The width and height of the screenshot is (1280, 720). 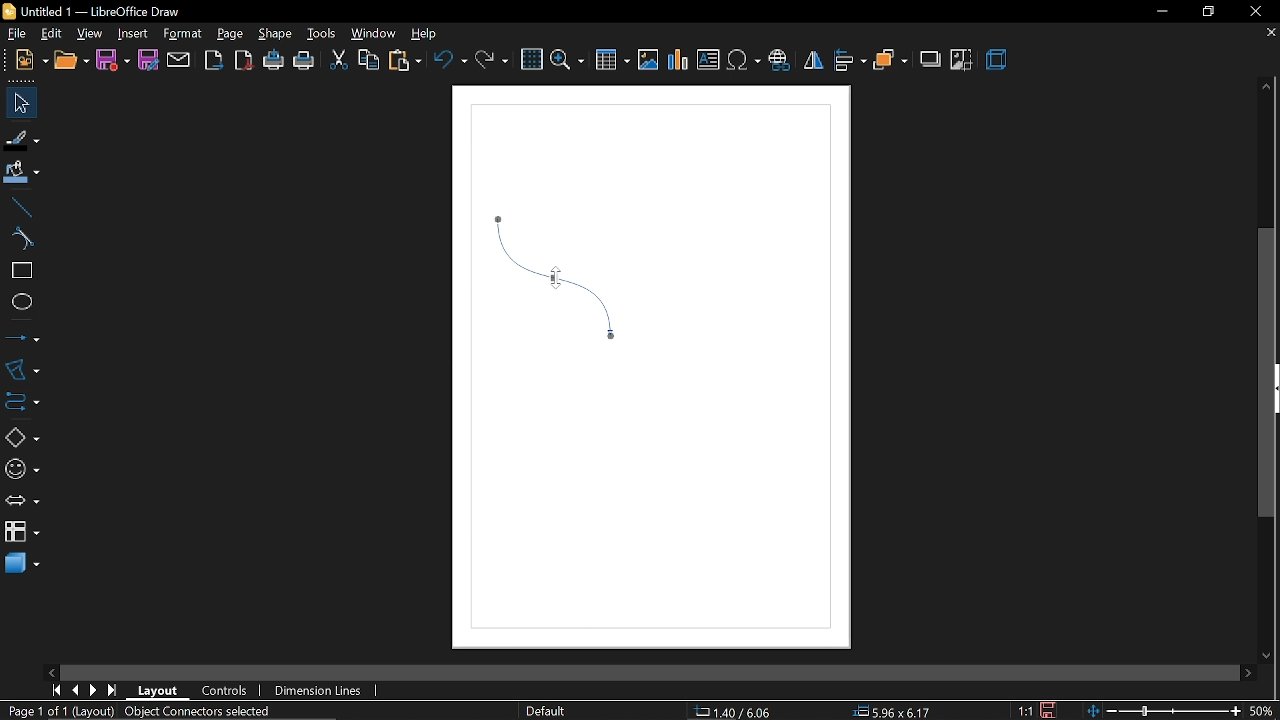 What do you see at coordinates (214, 61) in the screenshot?
I see `export` at bounding box center [214, 61].